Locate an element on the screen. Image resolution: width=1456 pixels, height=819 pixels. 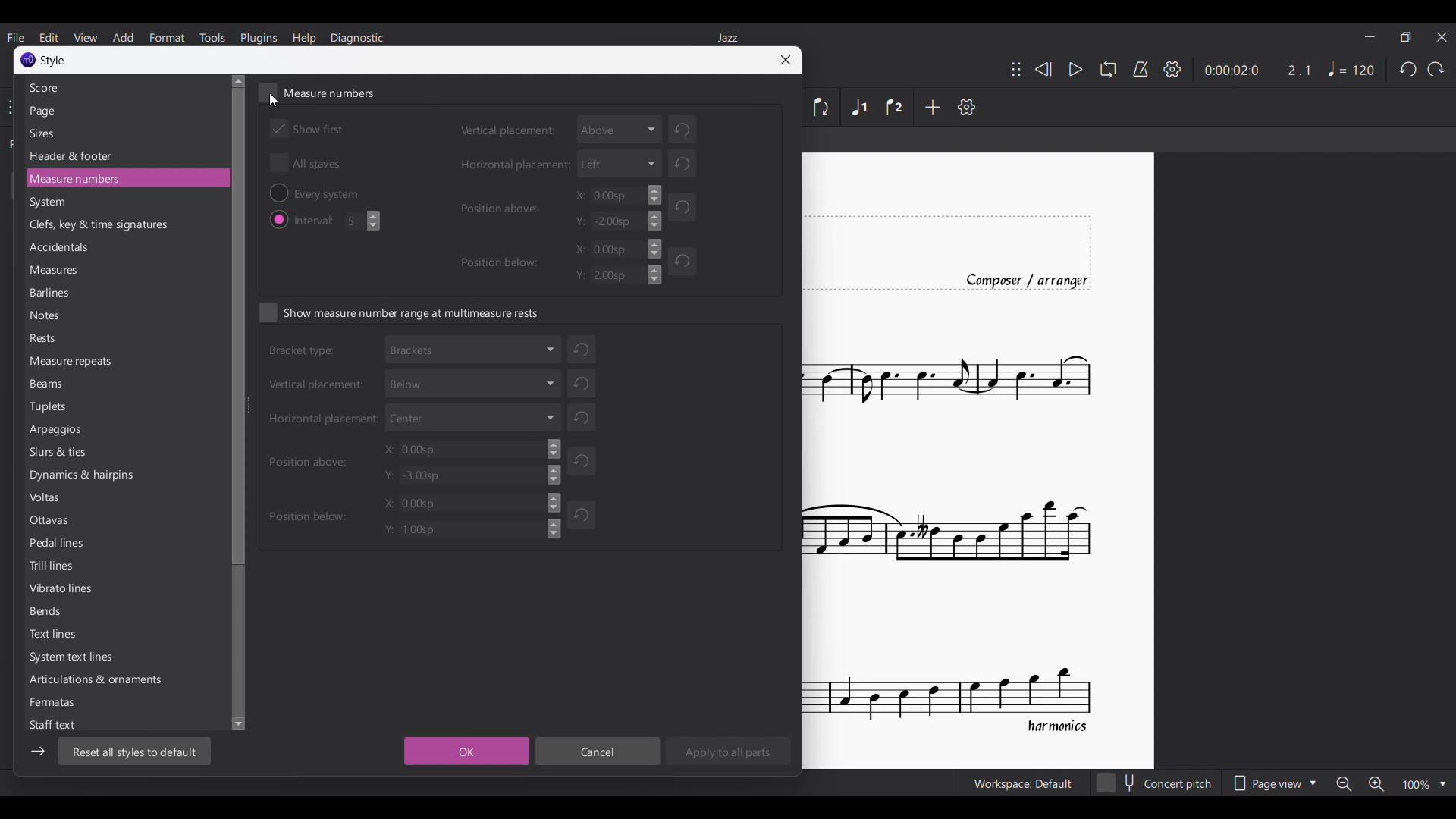
Measure is located at coordinates (70, 362).